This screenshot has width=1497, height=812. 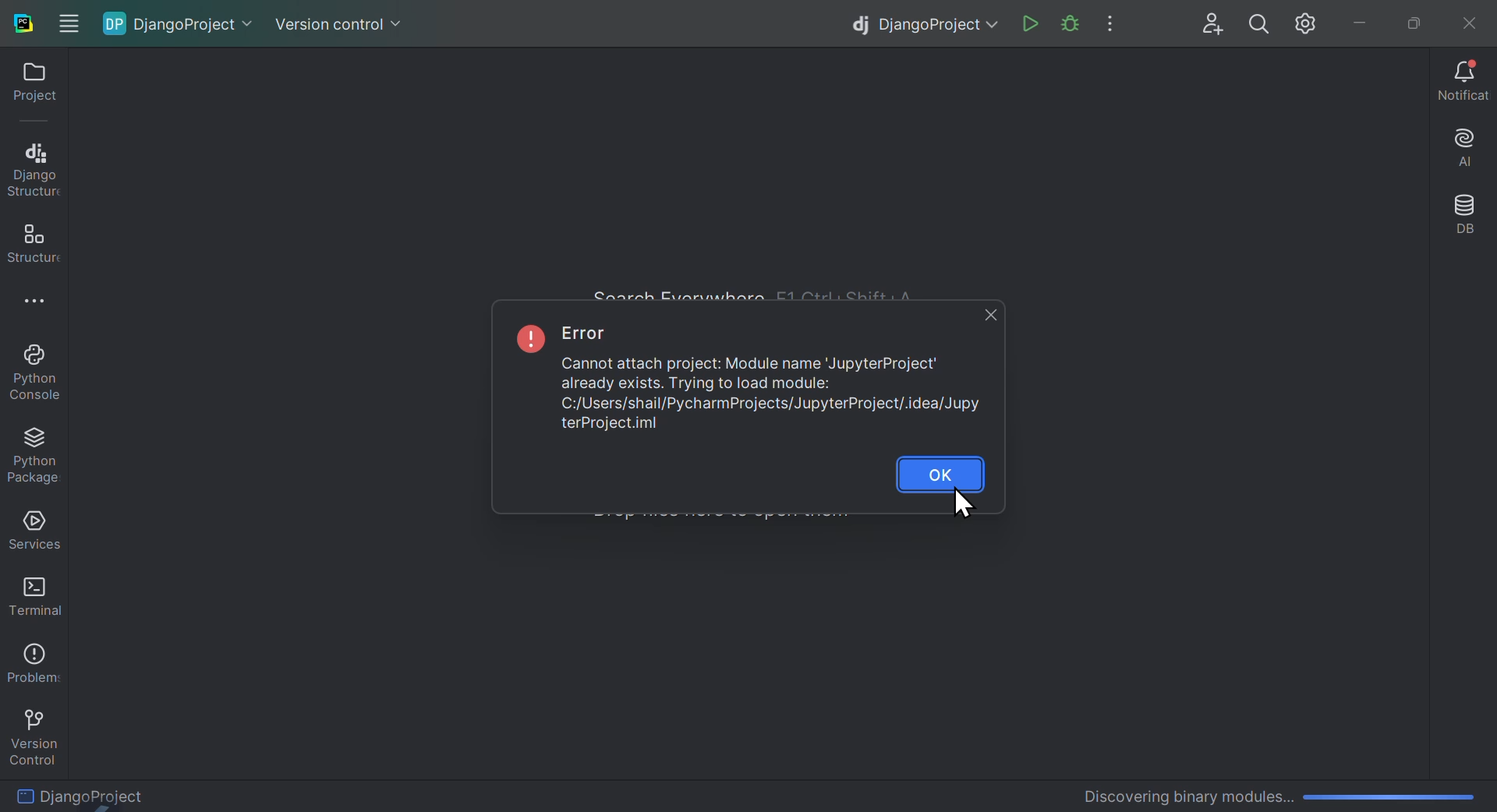 What do you see at coordinates (942, 471) in the screenshot?
I see `OK` at bounding box center [942, 471].